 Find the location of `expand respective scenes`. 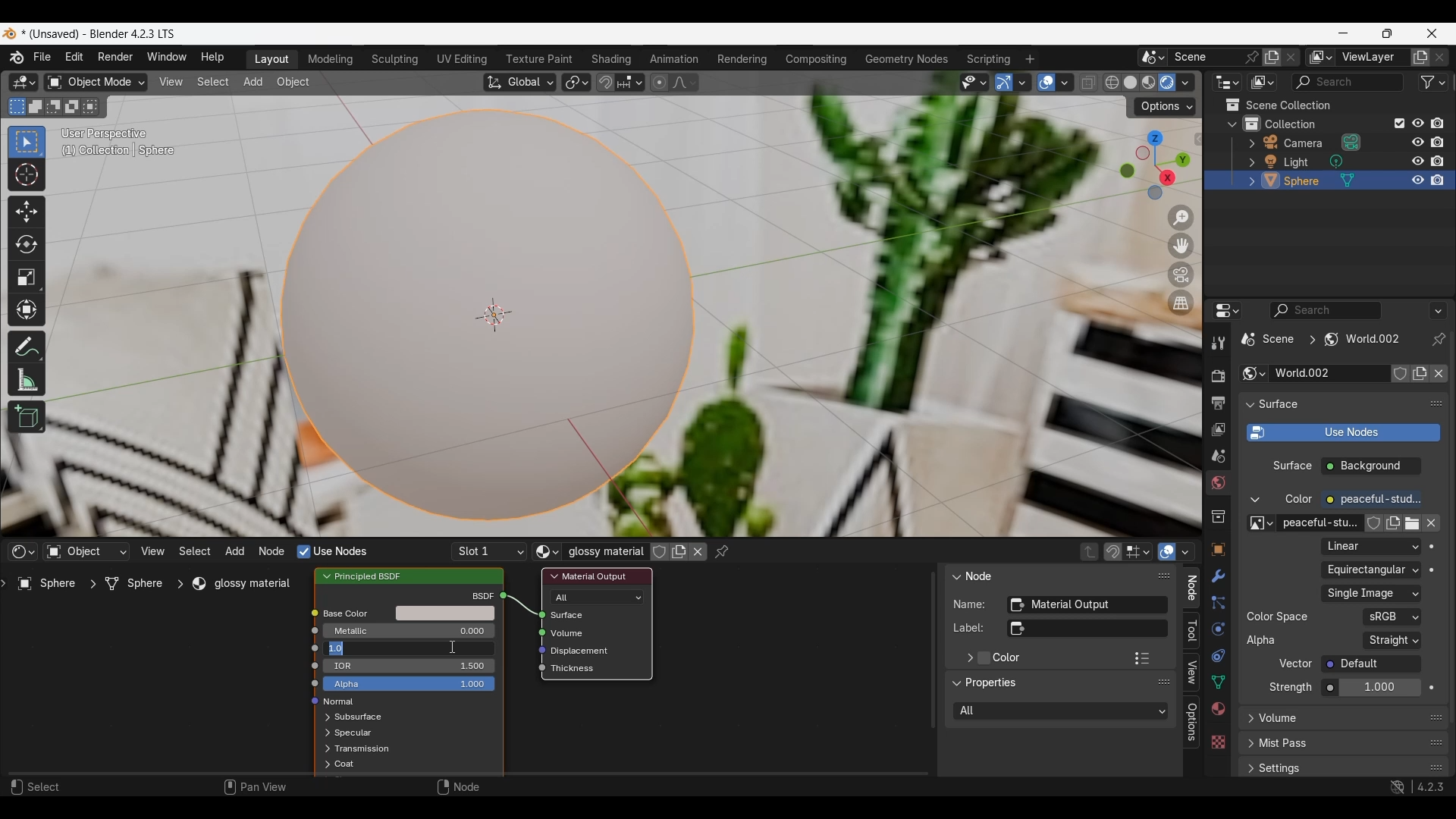

expand respective scenes is located at coordinates (325, 749).